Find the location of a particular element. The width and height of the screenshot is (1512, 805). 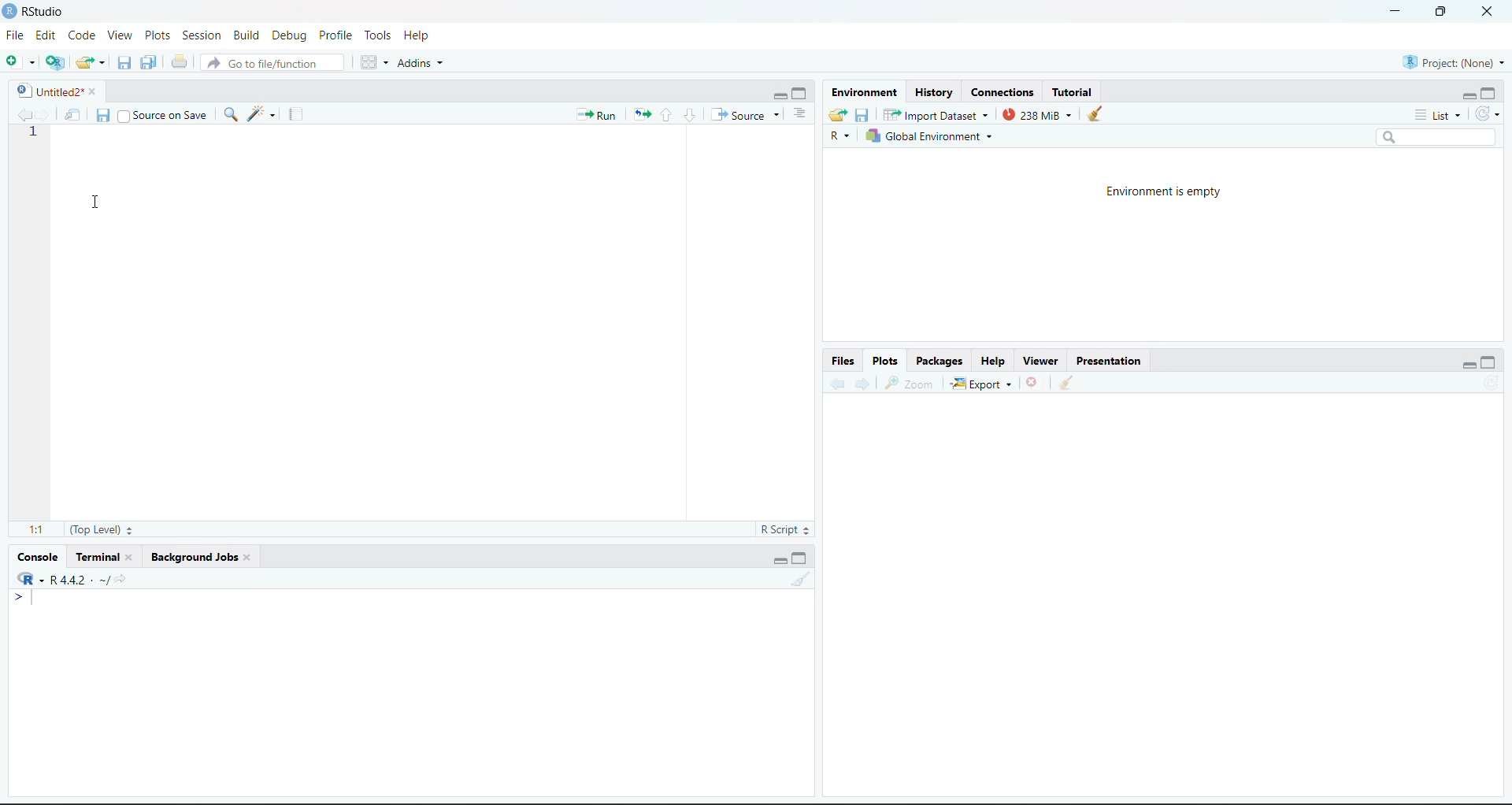

Build is located at coordinates (246, 35).